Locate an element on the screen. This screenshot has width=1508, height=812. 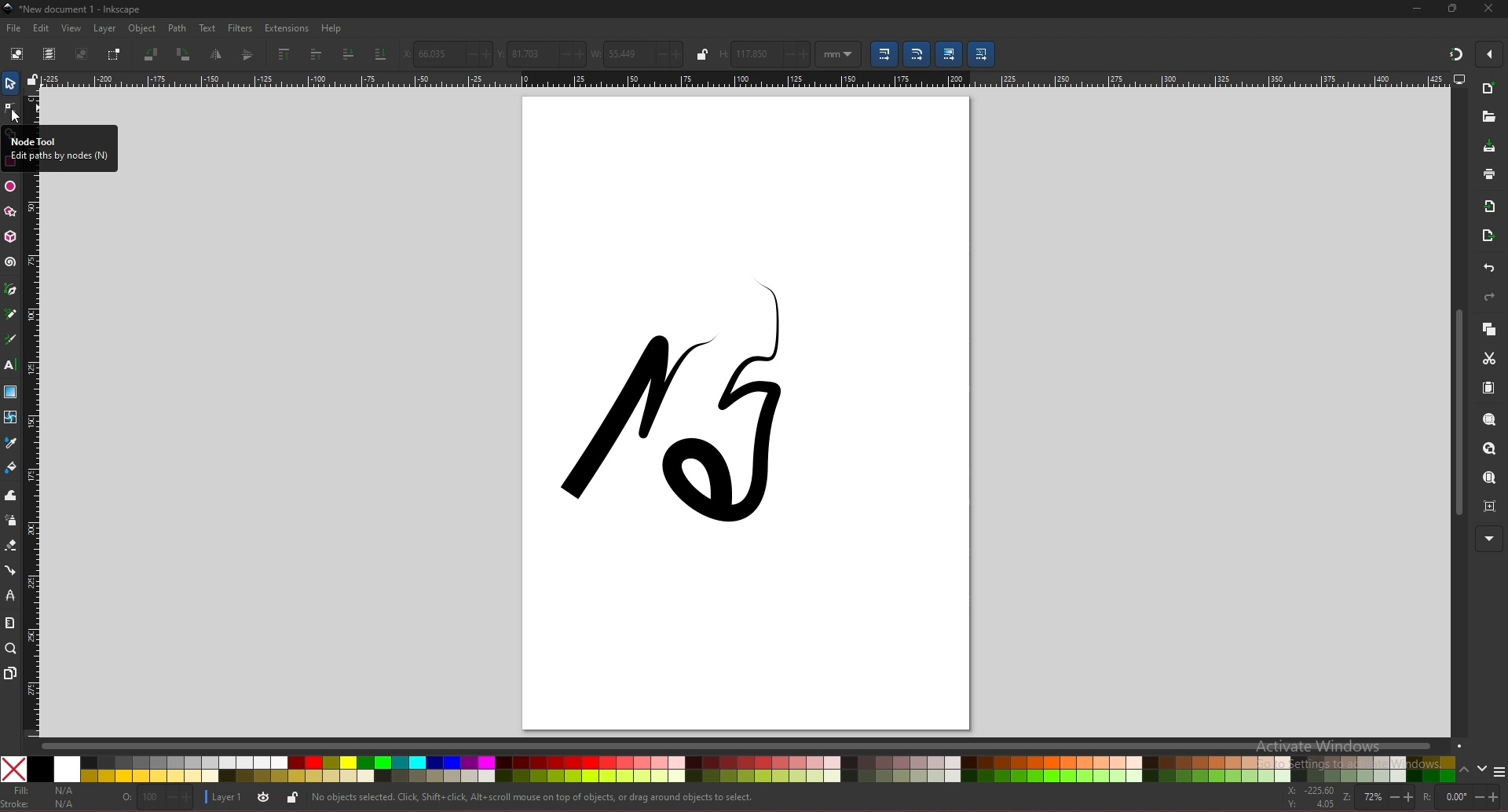
select all objects is located at coordinates (17, 54).